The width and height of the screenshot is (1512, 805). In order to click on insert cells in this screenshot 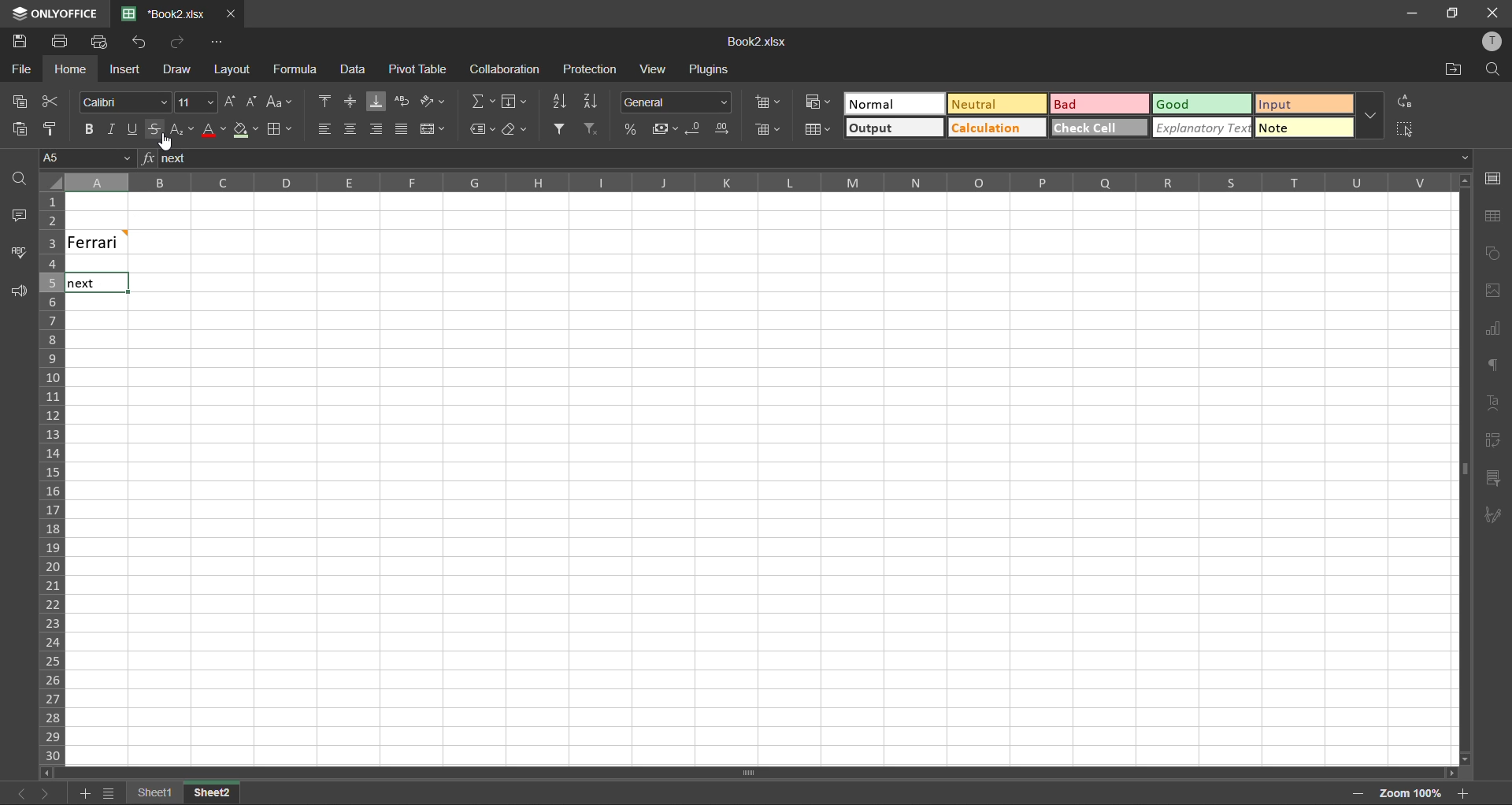, I will do `click(765, 104)`.